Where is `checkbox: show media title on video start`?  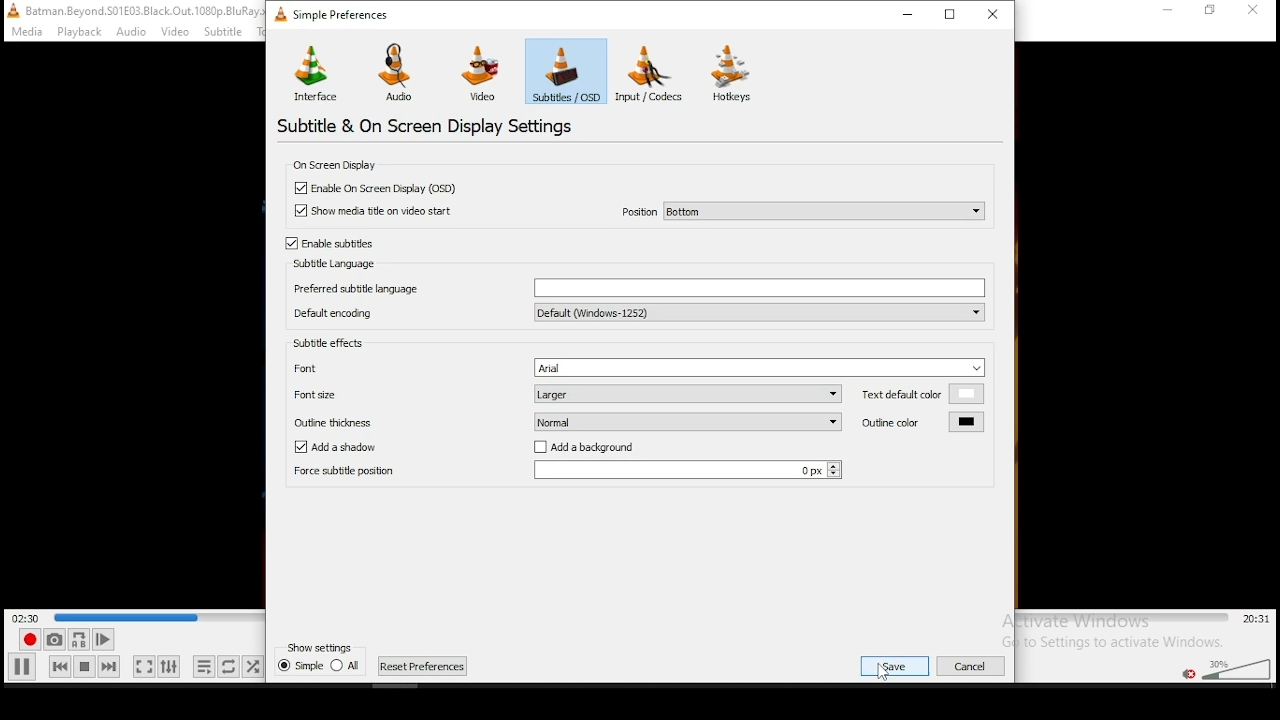 checkbox: show media title on video start is located at coordinates (374, 211).